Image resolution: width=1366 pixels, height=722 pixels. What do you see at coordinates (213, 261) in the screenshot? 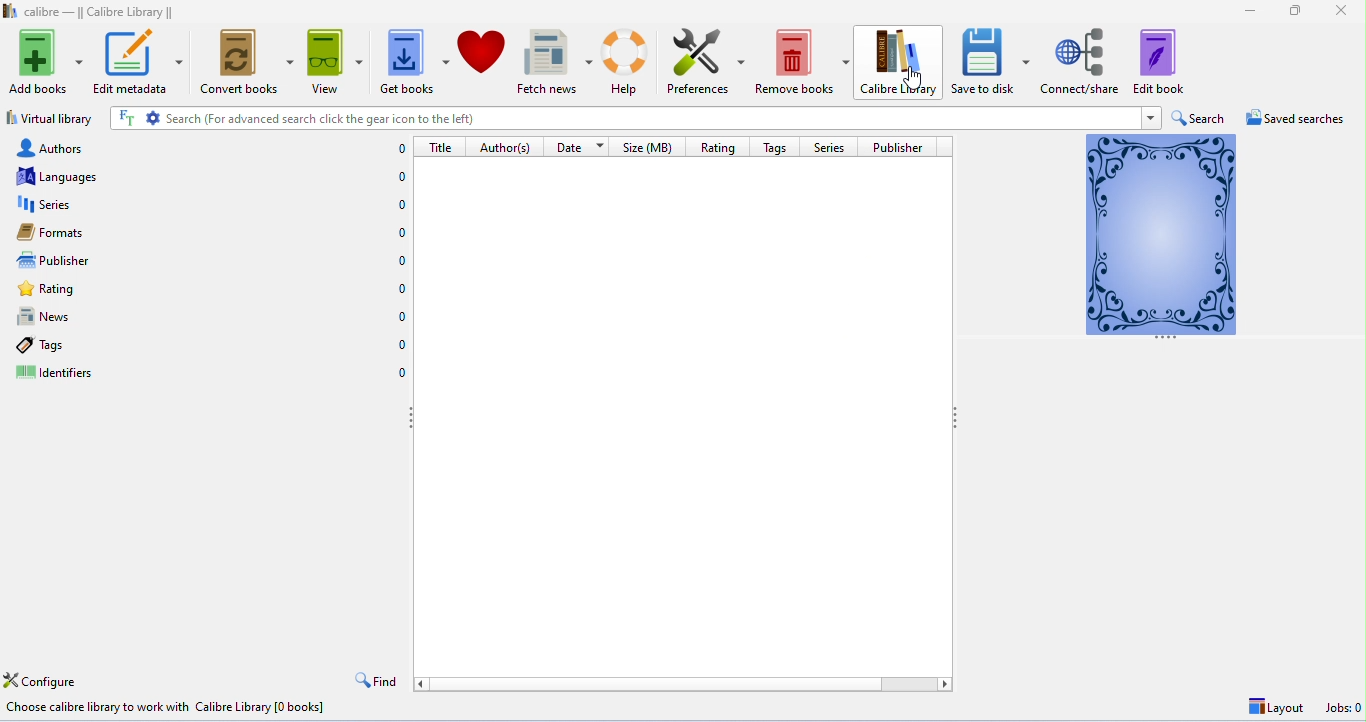
I see `publisher` at bounding box center [213, 261].